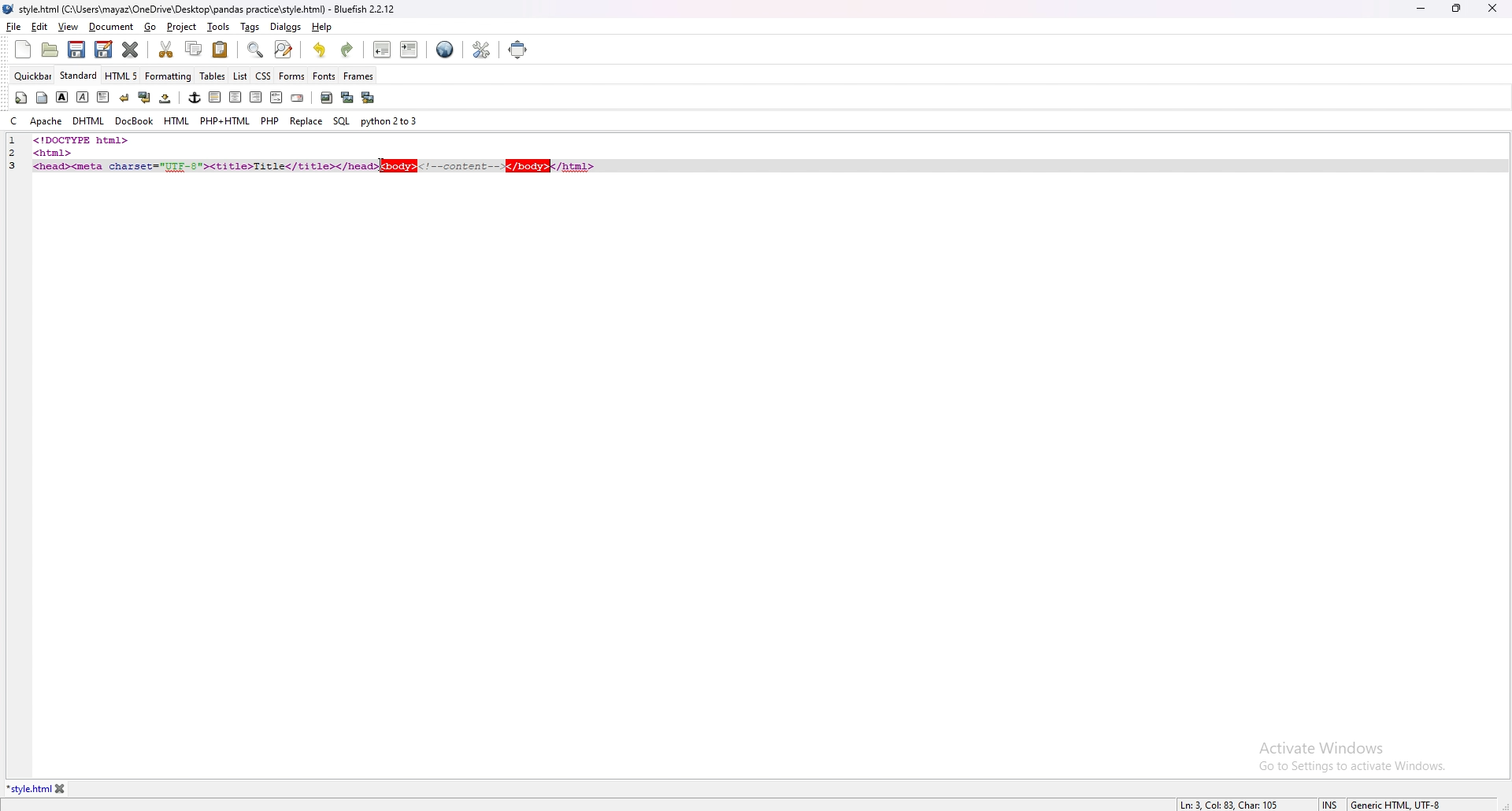  What do you see at coordinates (1395, 803) in the screenshot?
I see `encoding` at bounding box center [1395, 803].